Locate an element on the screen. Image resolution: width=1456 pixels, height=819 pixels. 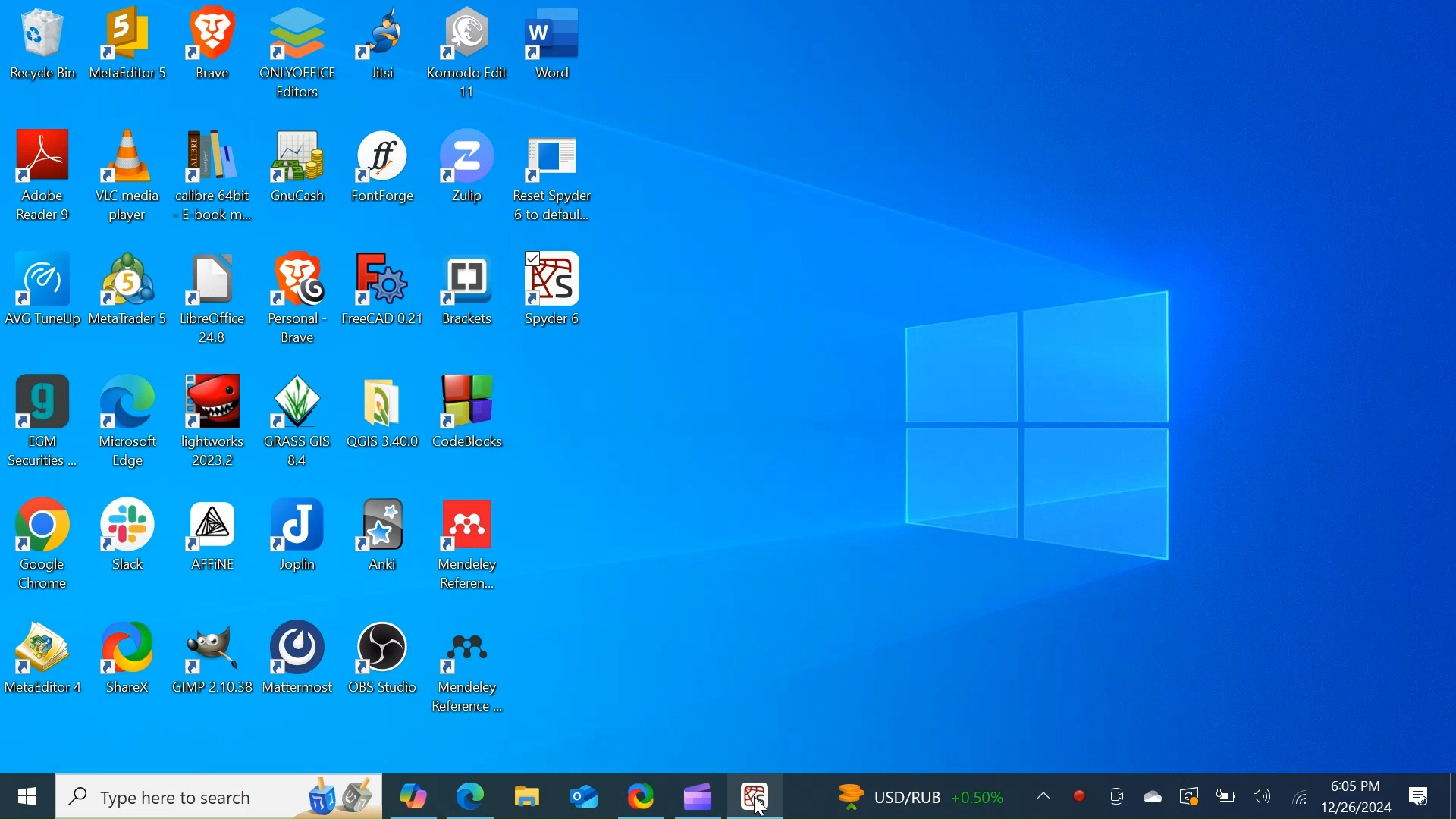
AVG TuneUp is located at coordinates (42, 297).